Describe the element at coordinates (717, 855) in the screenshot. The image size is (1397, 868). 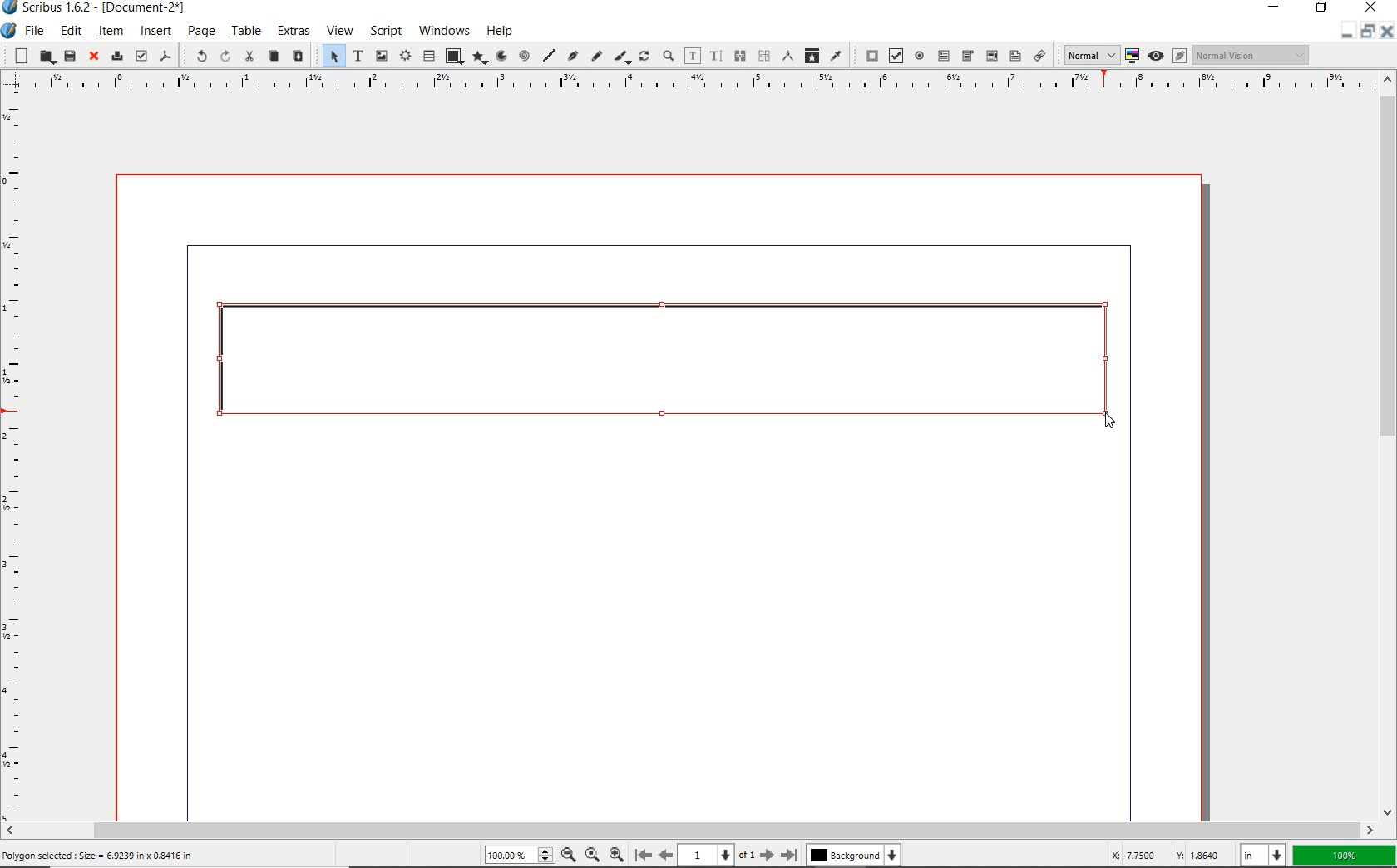
I see `current page` at that location.